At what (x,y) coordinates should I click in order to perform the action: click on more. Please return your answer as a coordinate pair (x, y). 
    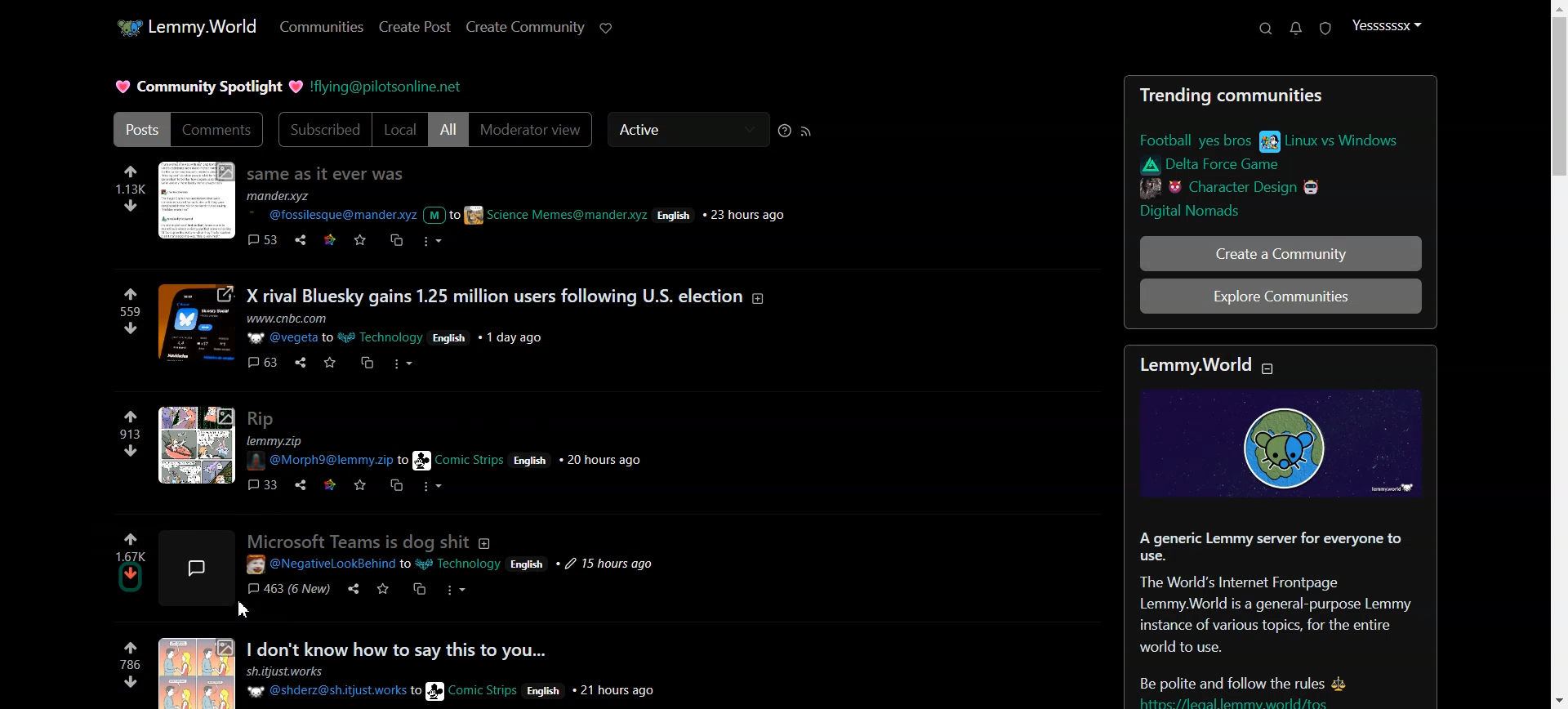
    Looking at the image, I should click on (405, 364).